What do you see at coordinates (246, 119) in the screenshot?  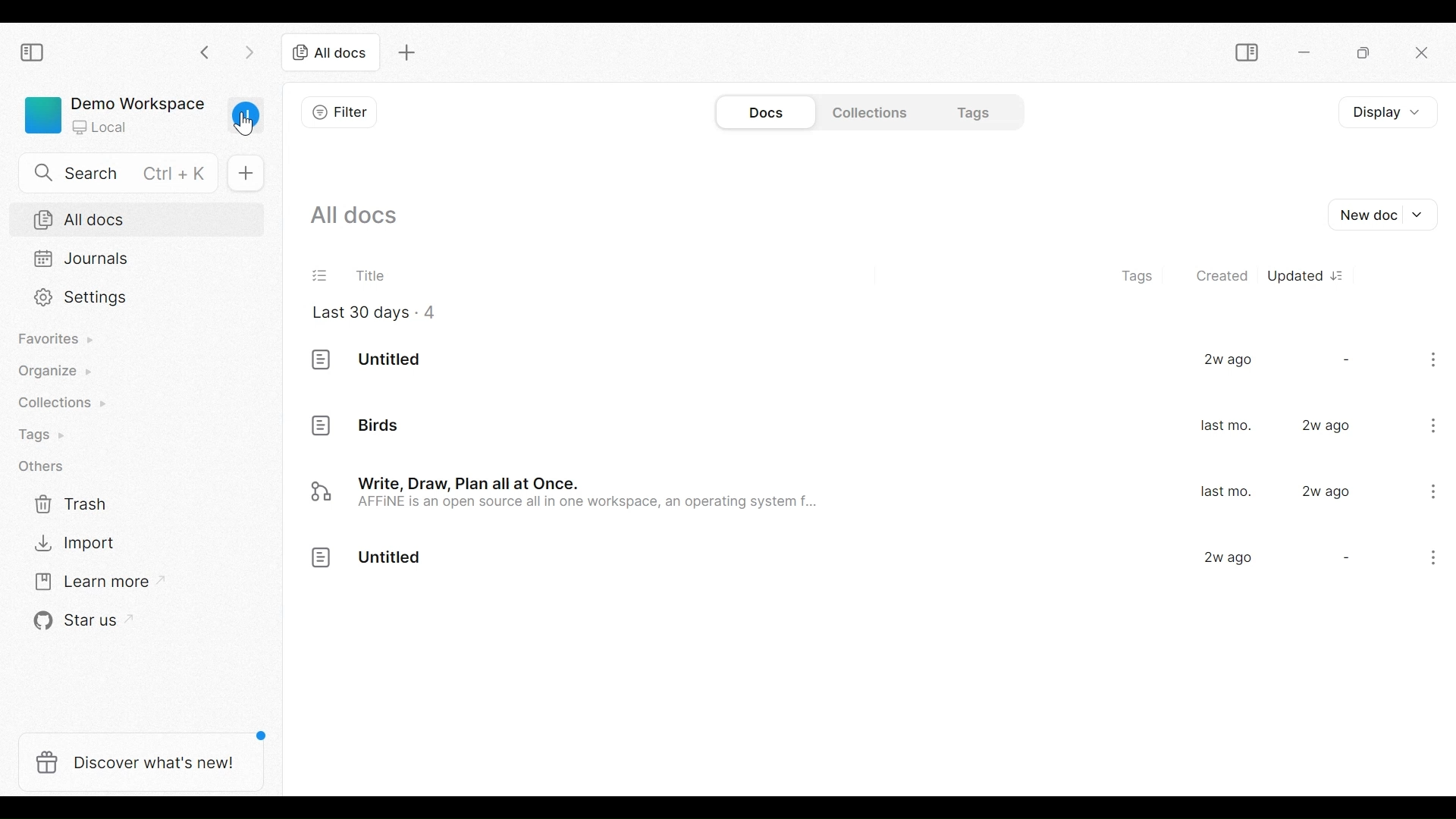 I see `Account` at bounding box center [246, 119].